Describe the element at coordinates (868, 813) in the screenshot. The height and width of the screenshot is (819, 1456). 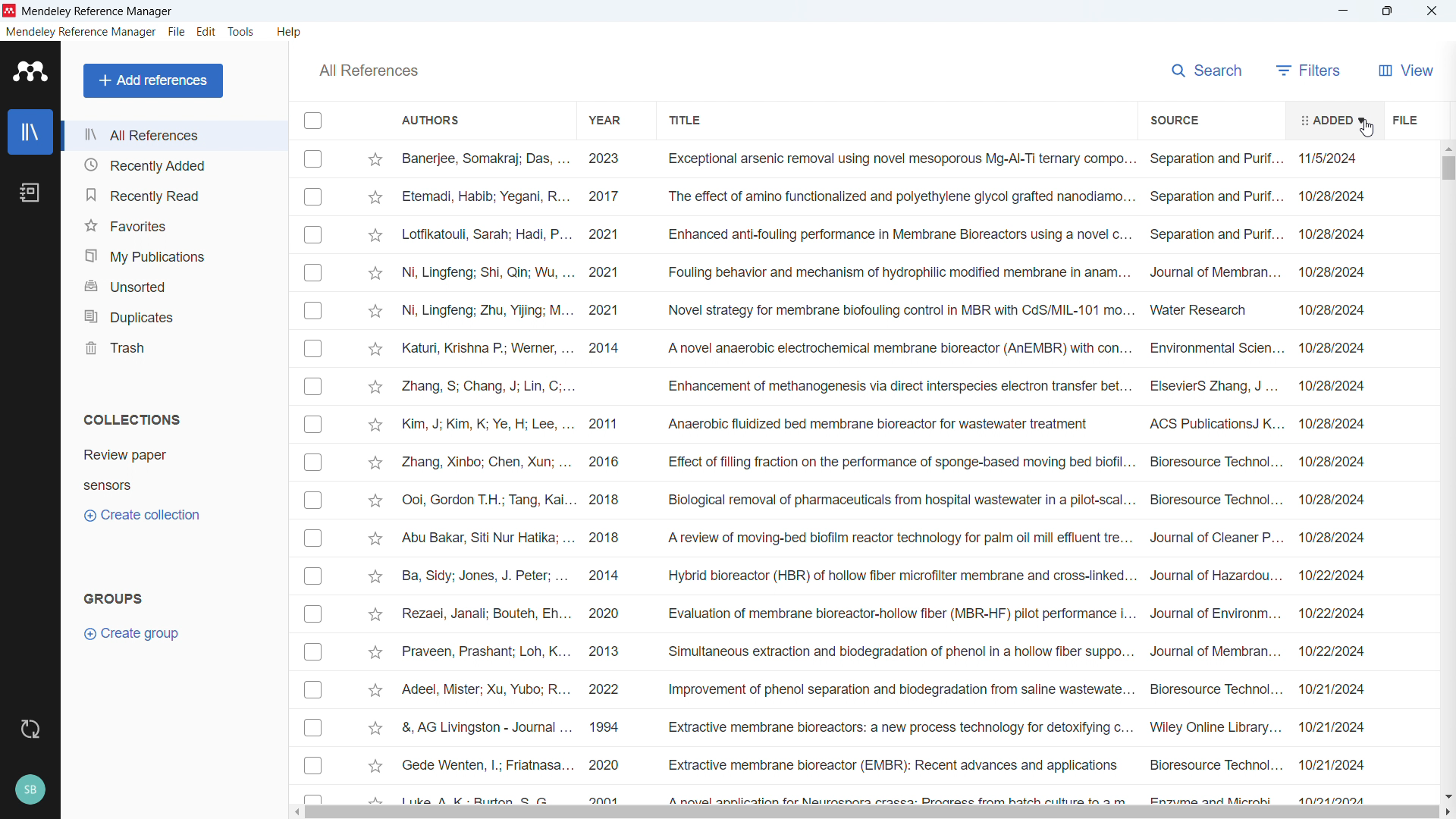
I see `Horizontal scrollbar ` at that location.